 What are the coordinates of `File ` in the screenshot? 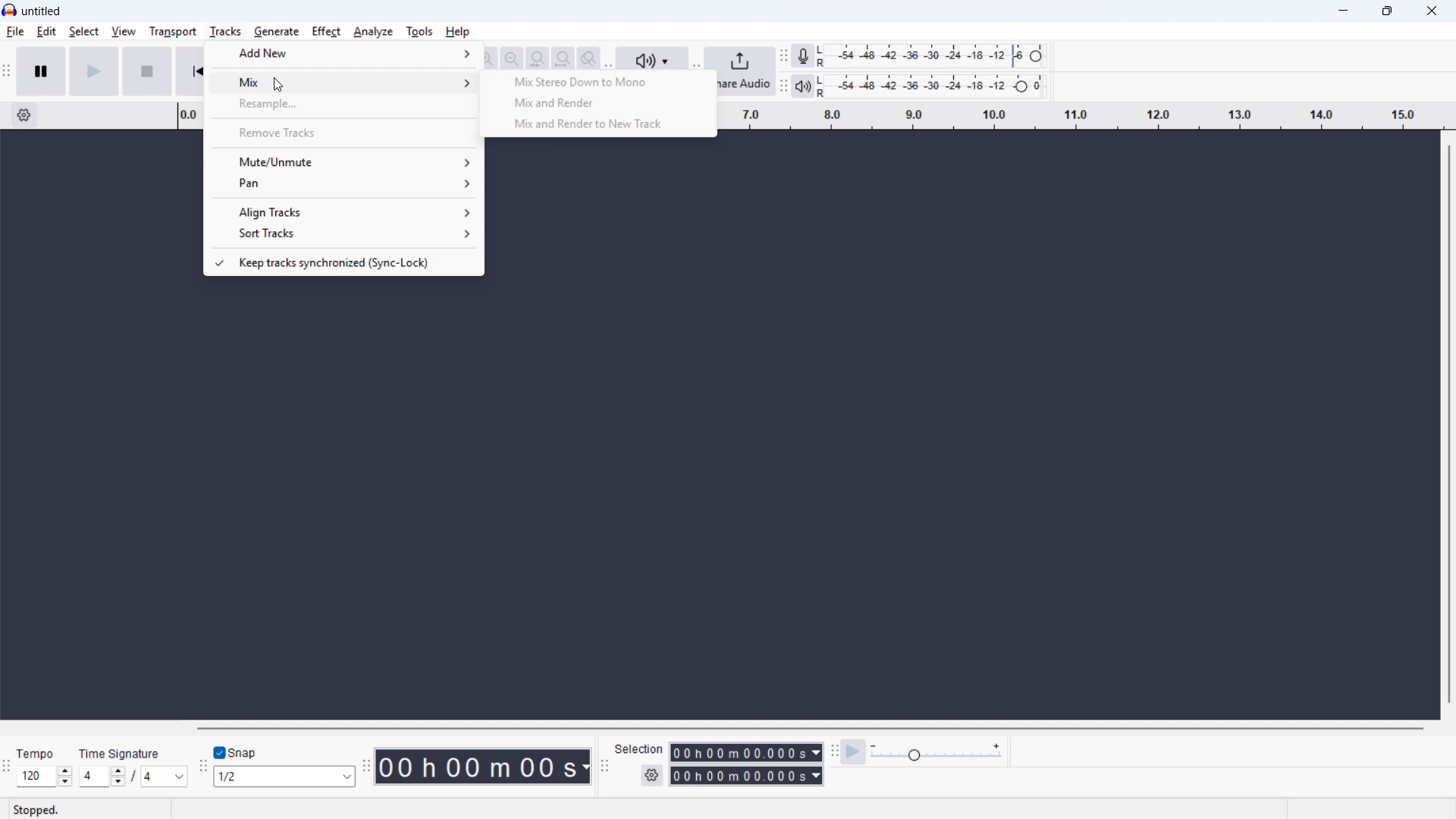 It's located at (16, 32).